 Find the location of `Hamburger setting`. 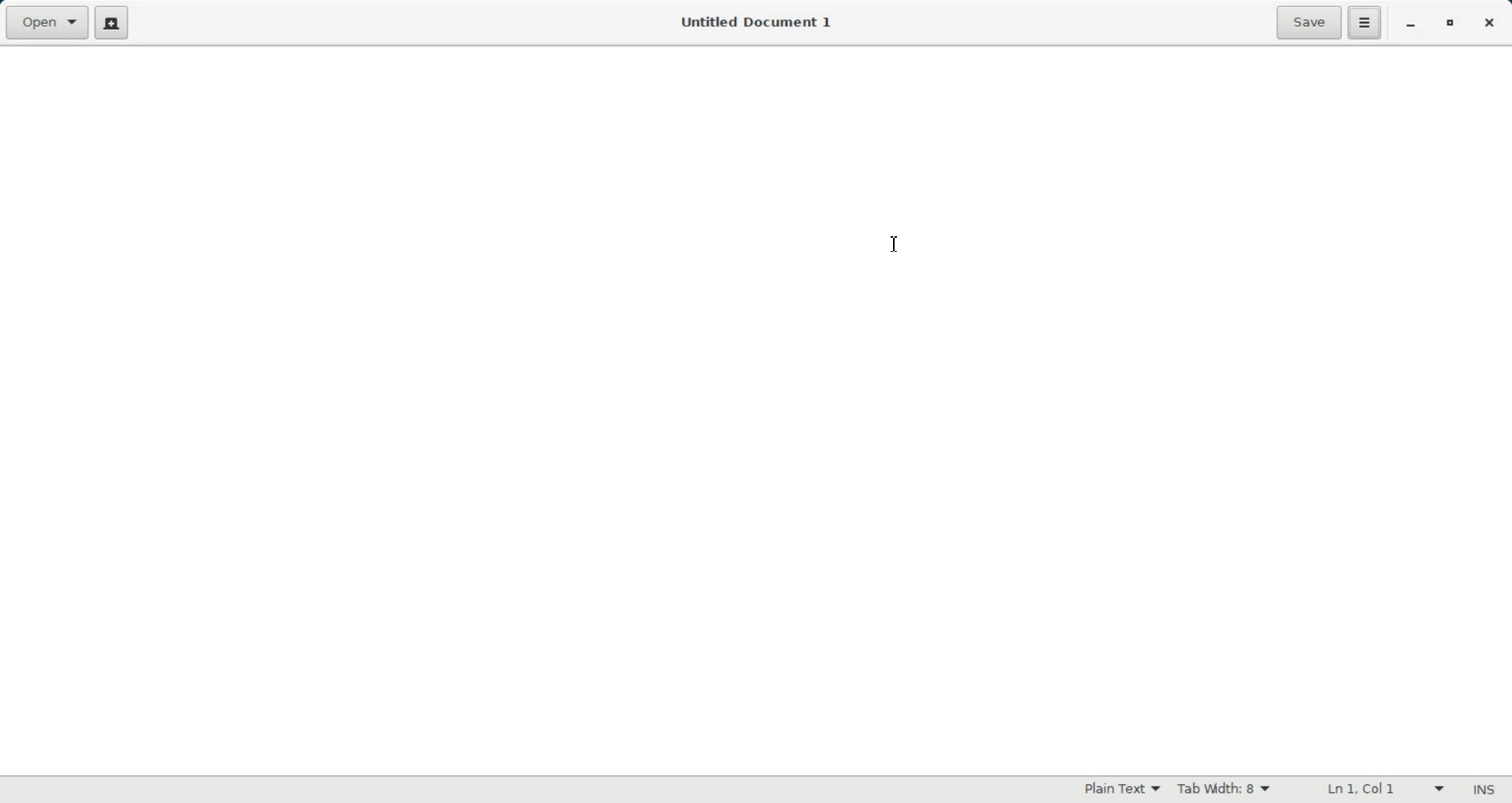

Hamburger setting is located at coordinates (1365, 23).